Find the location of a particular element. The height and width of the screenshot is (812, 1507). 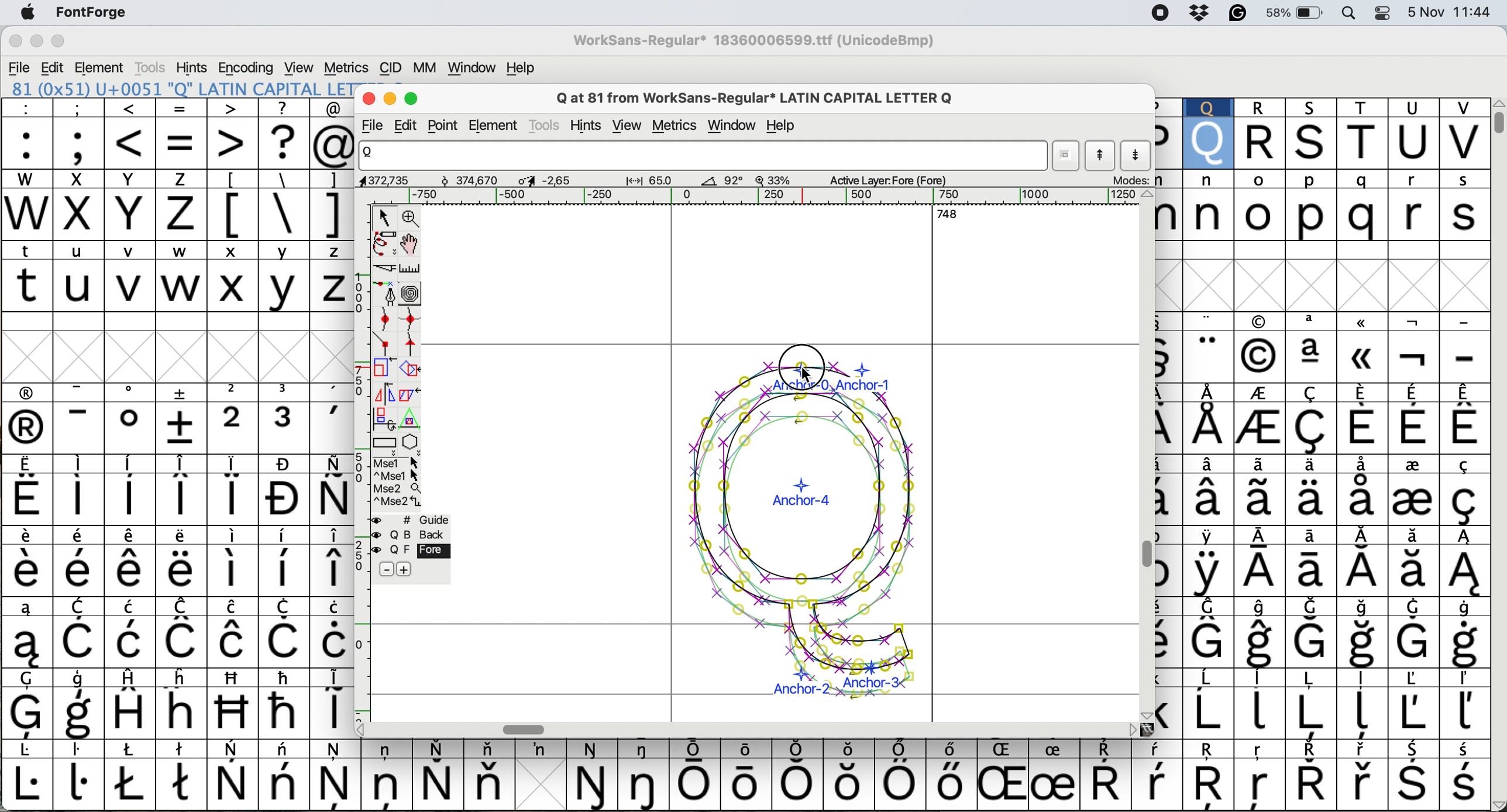

hints is located at coordinates (194, 68).